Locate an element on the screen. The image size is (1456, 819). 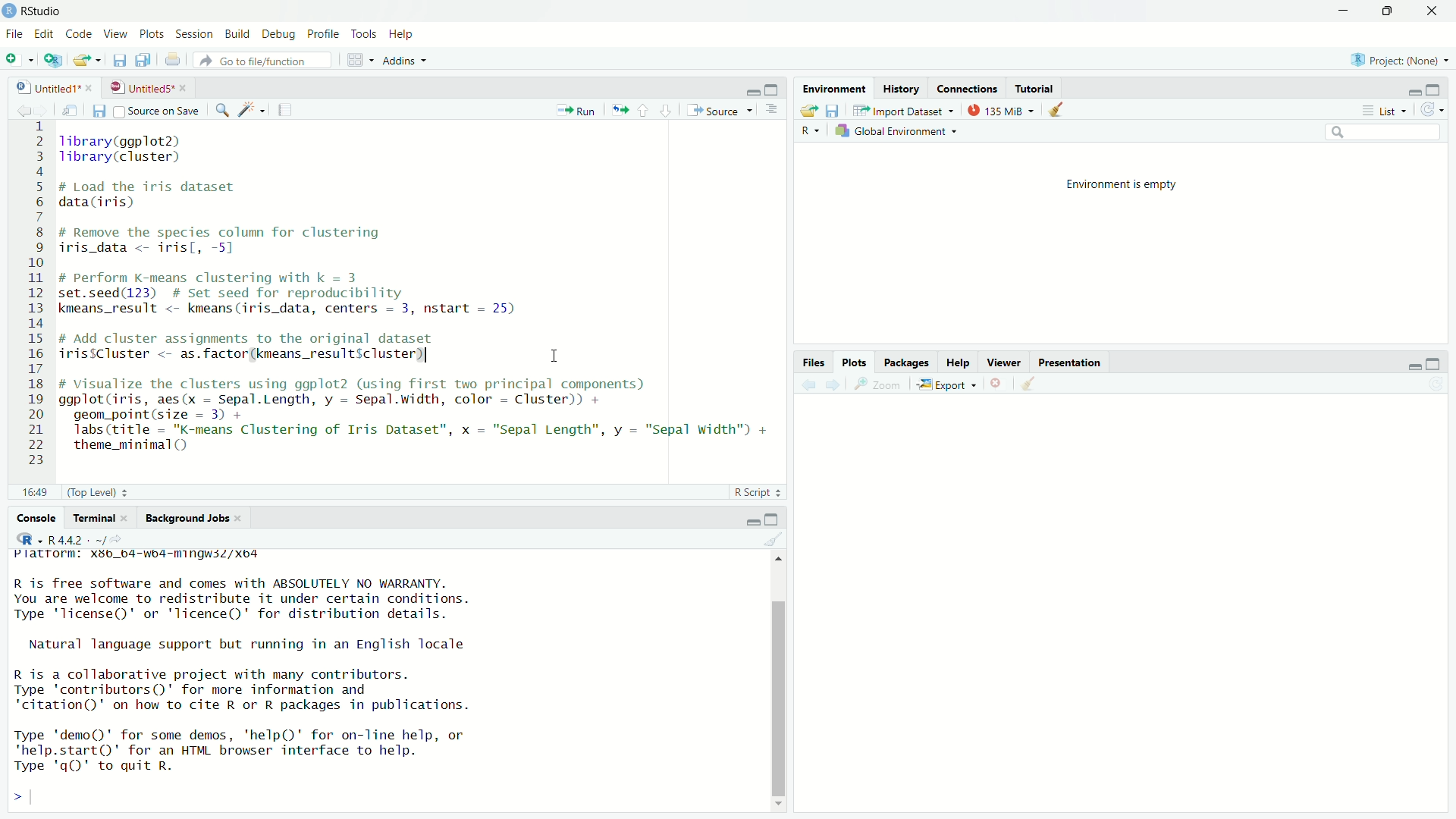
clear all plots is located at coordinates (1028, 385).